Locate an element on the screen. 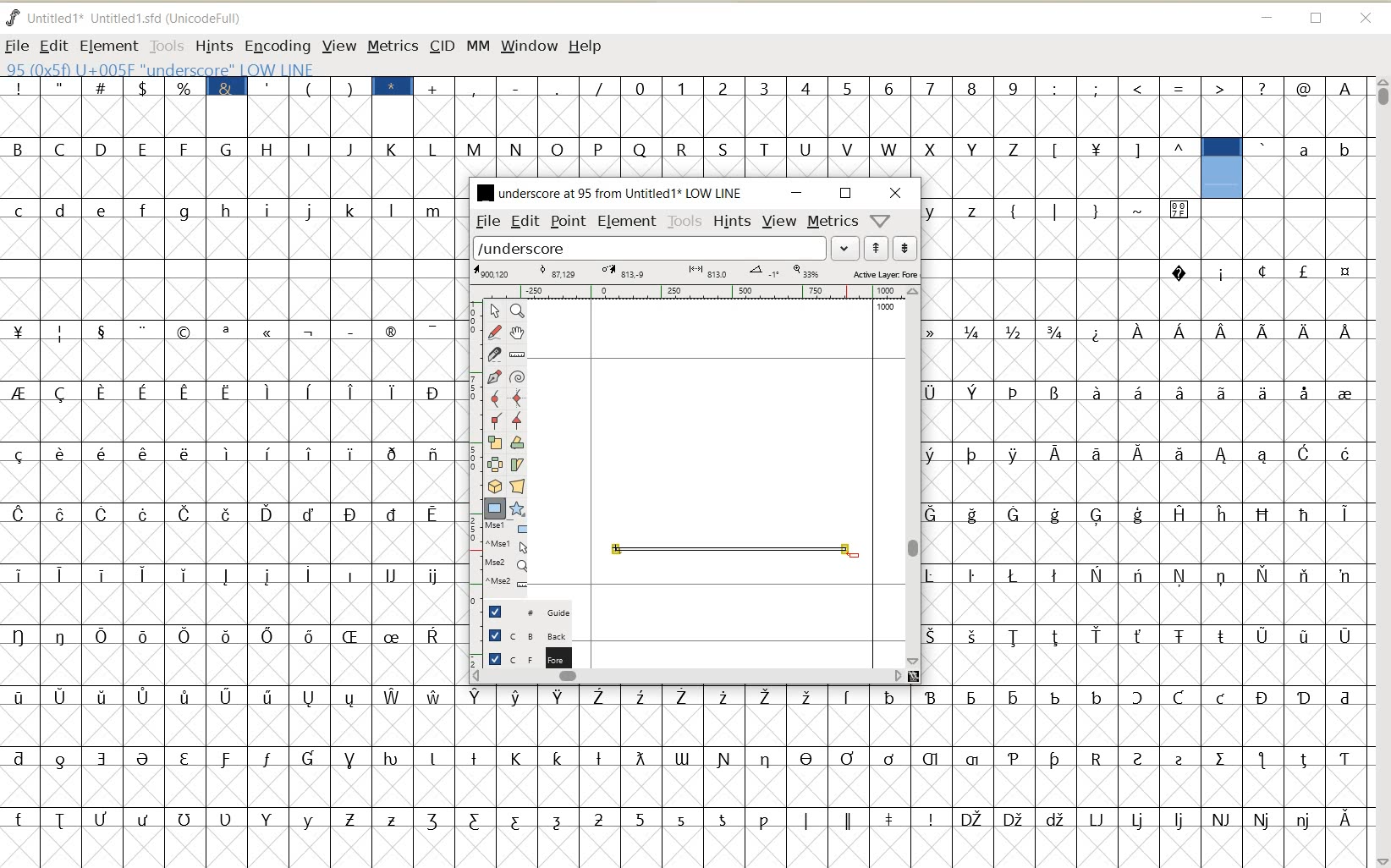 The image size is (1391, 868). ELEMENT is located at coordinates (108, 47).